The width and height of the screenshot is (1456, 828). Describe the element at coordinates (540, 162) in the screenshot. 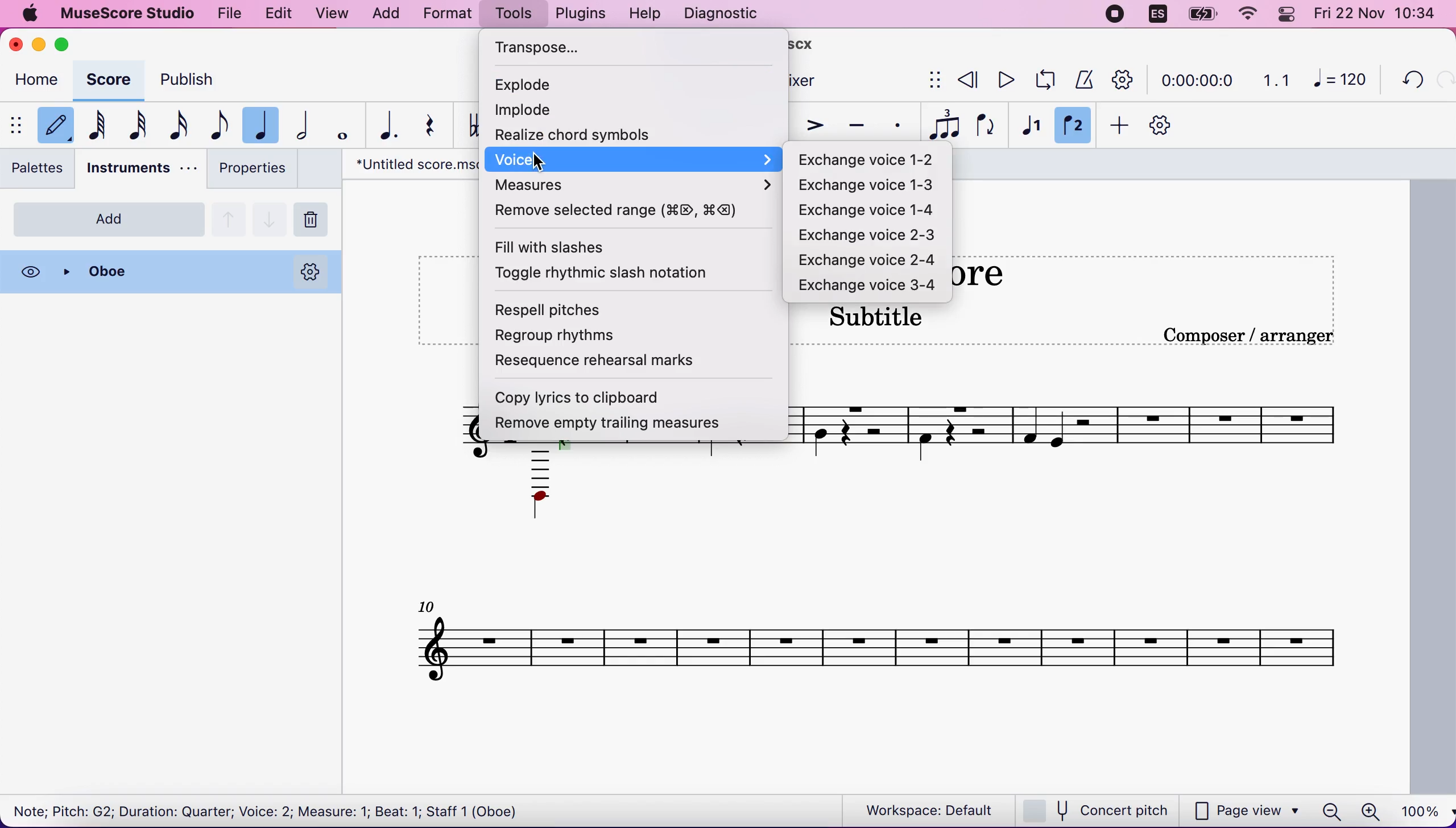

I see `cursor` at that location.